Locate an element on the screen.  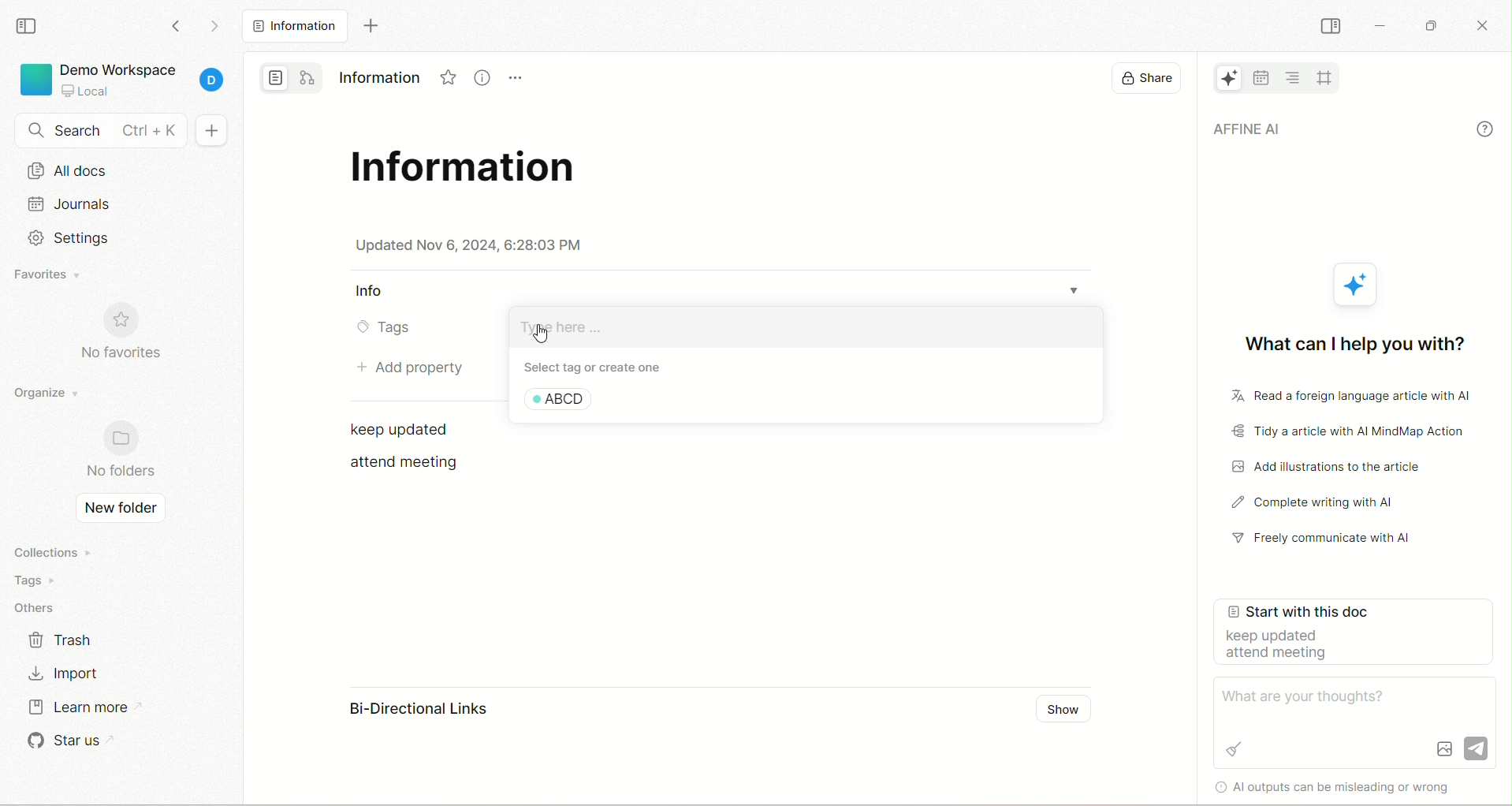
all frames is located at coordinates (1324, 76).